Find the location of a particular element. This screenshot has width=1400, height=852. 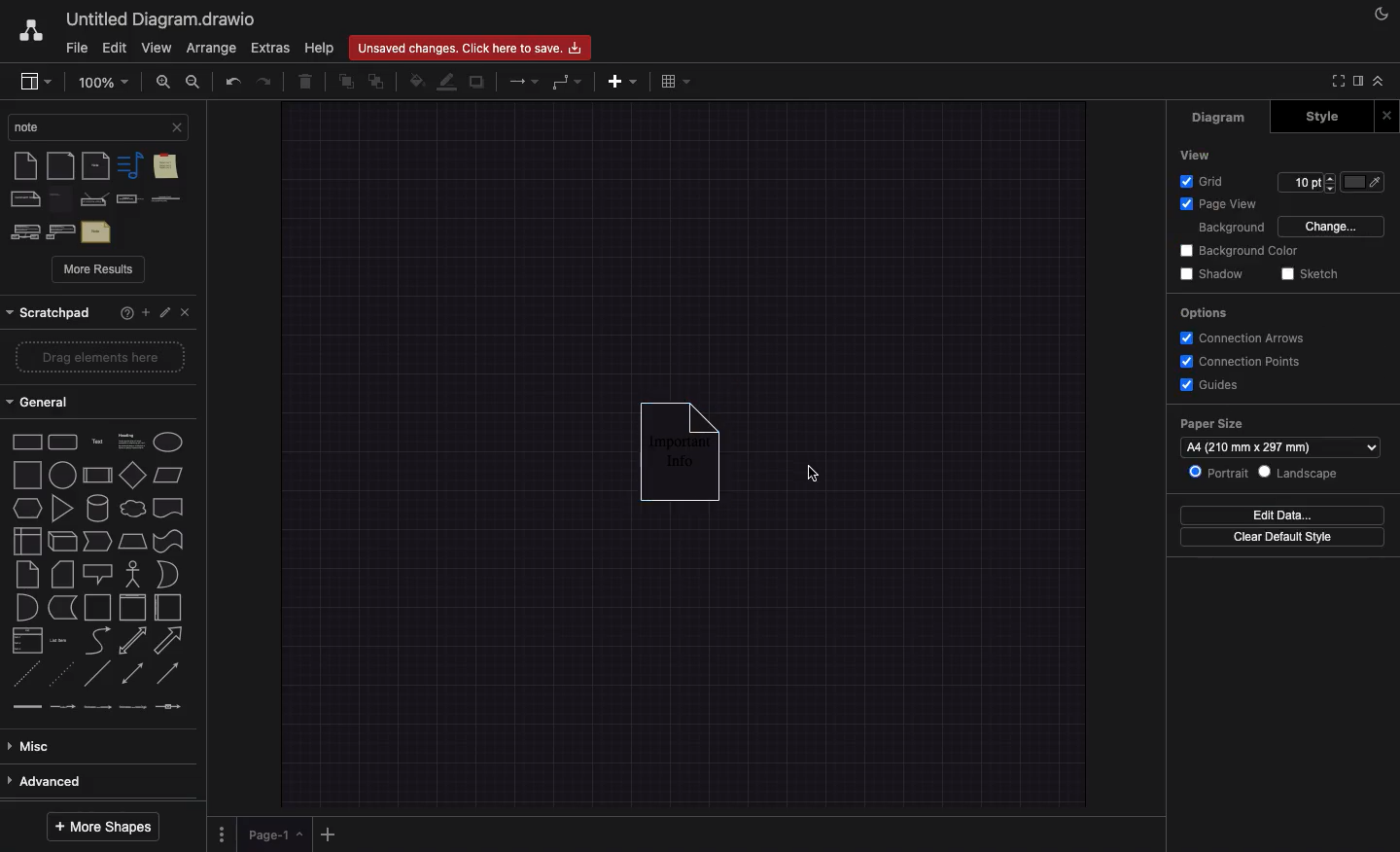

Unsaved is located at coordinates (470, 49).